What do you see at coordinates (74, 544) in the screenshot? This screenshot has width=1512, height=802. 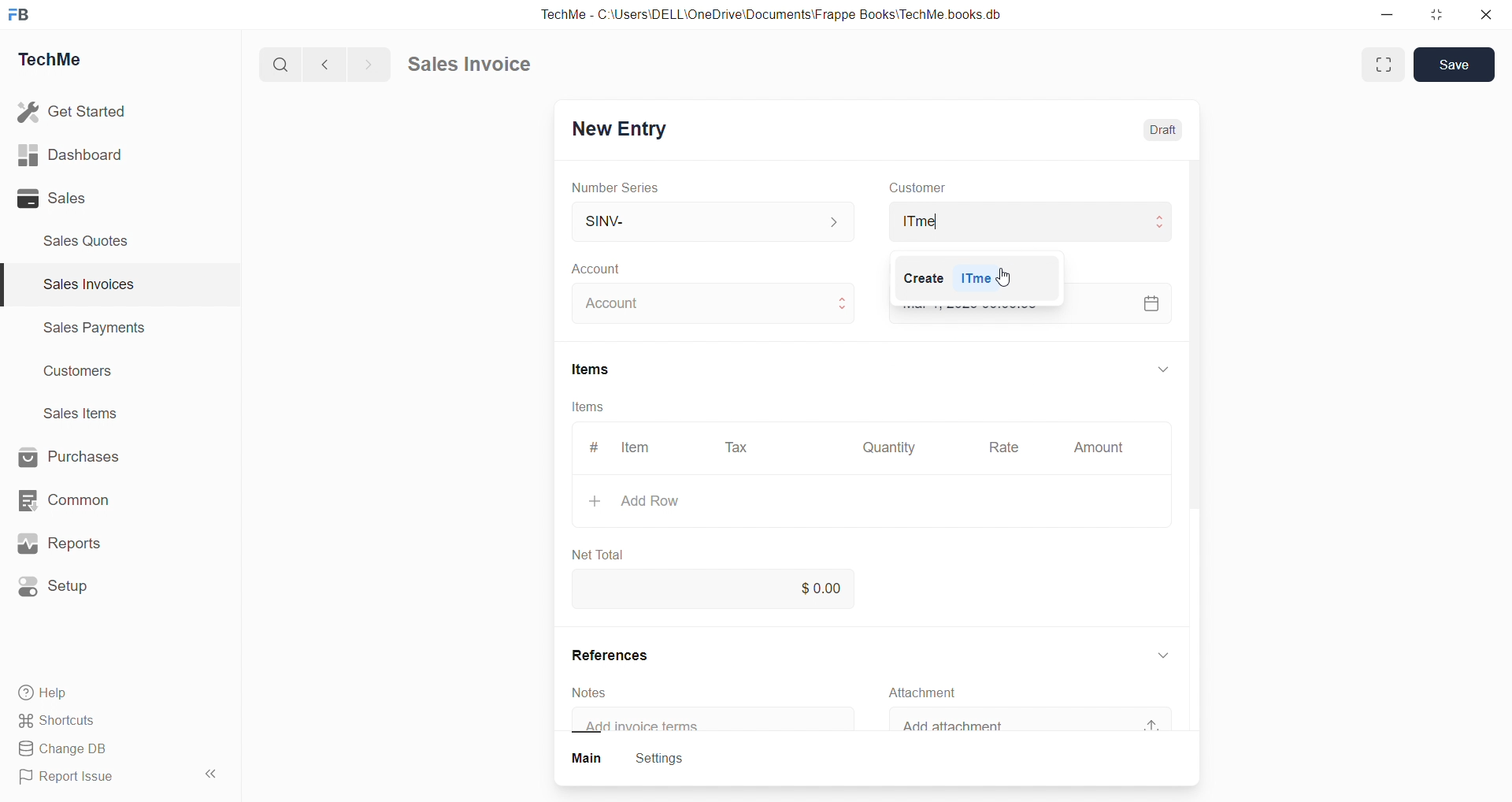 I see `ws Reports` at bounding box center [74, 544].